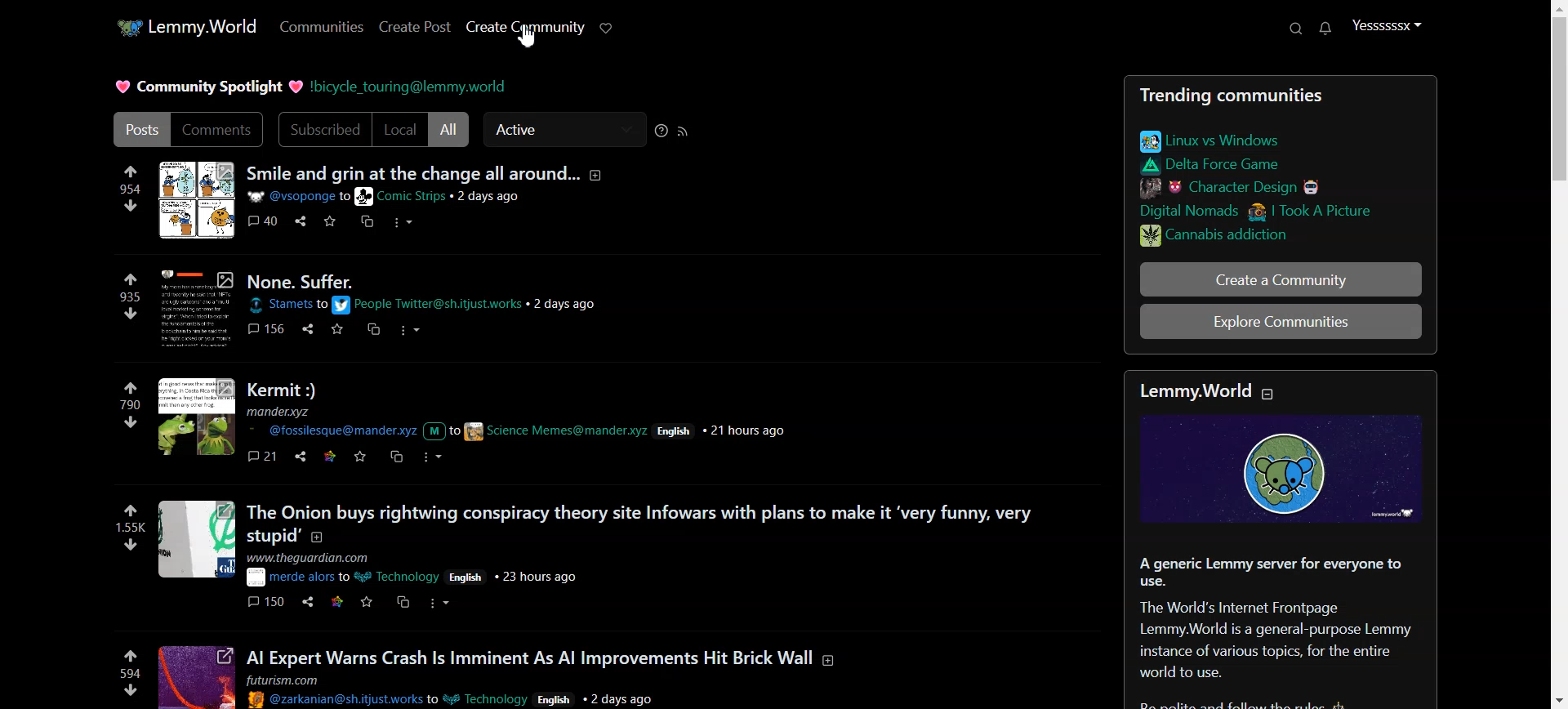  I want to click on more, so click(409, 331).